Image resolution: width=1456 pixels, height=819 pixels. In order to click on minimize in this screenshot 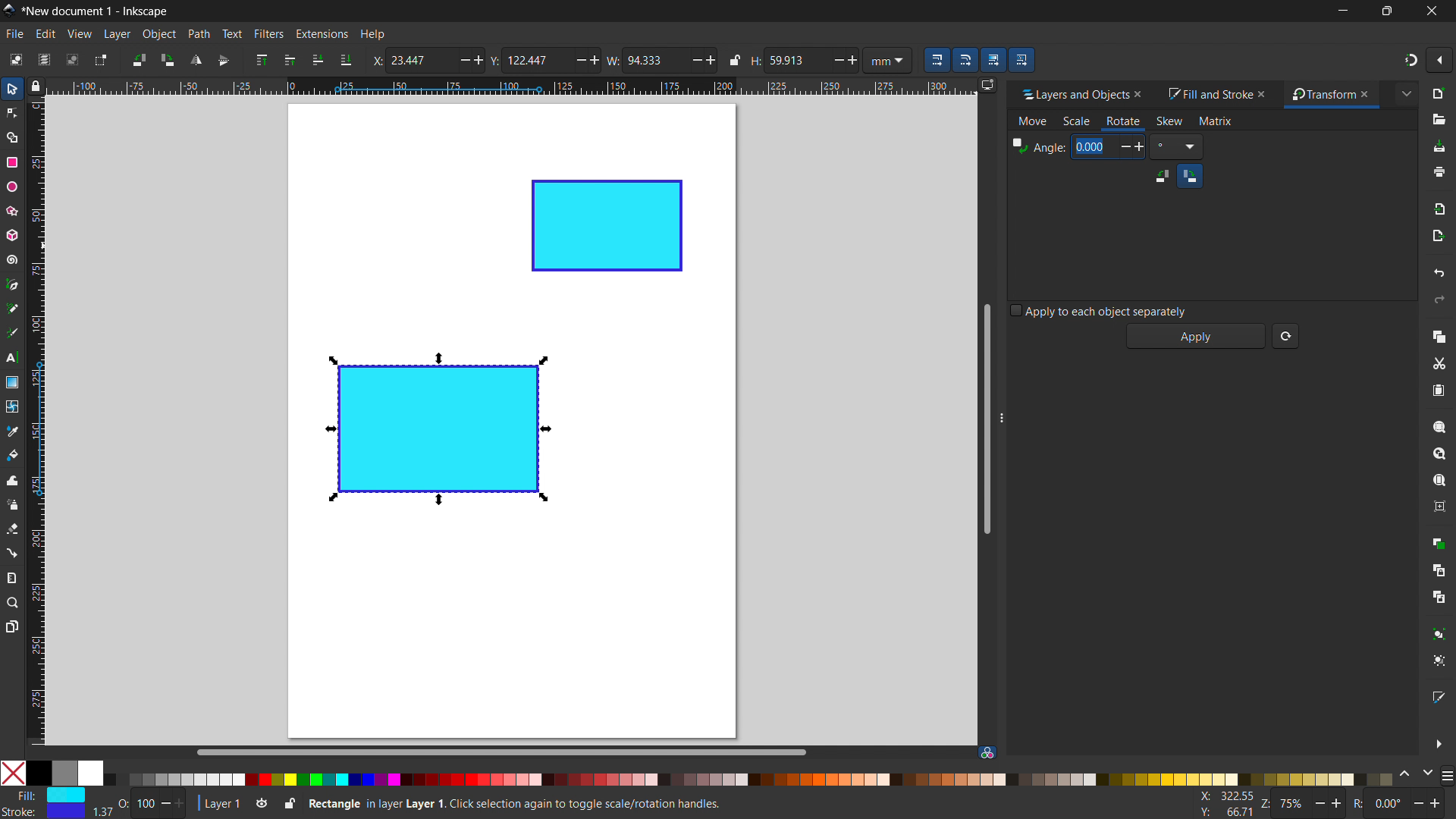, I will do `click(1341, 11)`.